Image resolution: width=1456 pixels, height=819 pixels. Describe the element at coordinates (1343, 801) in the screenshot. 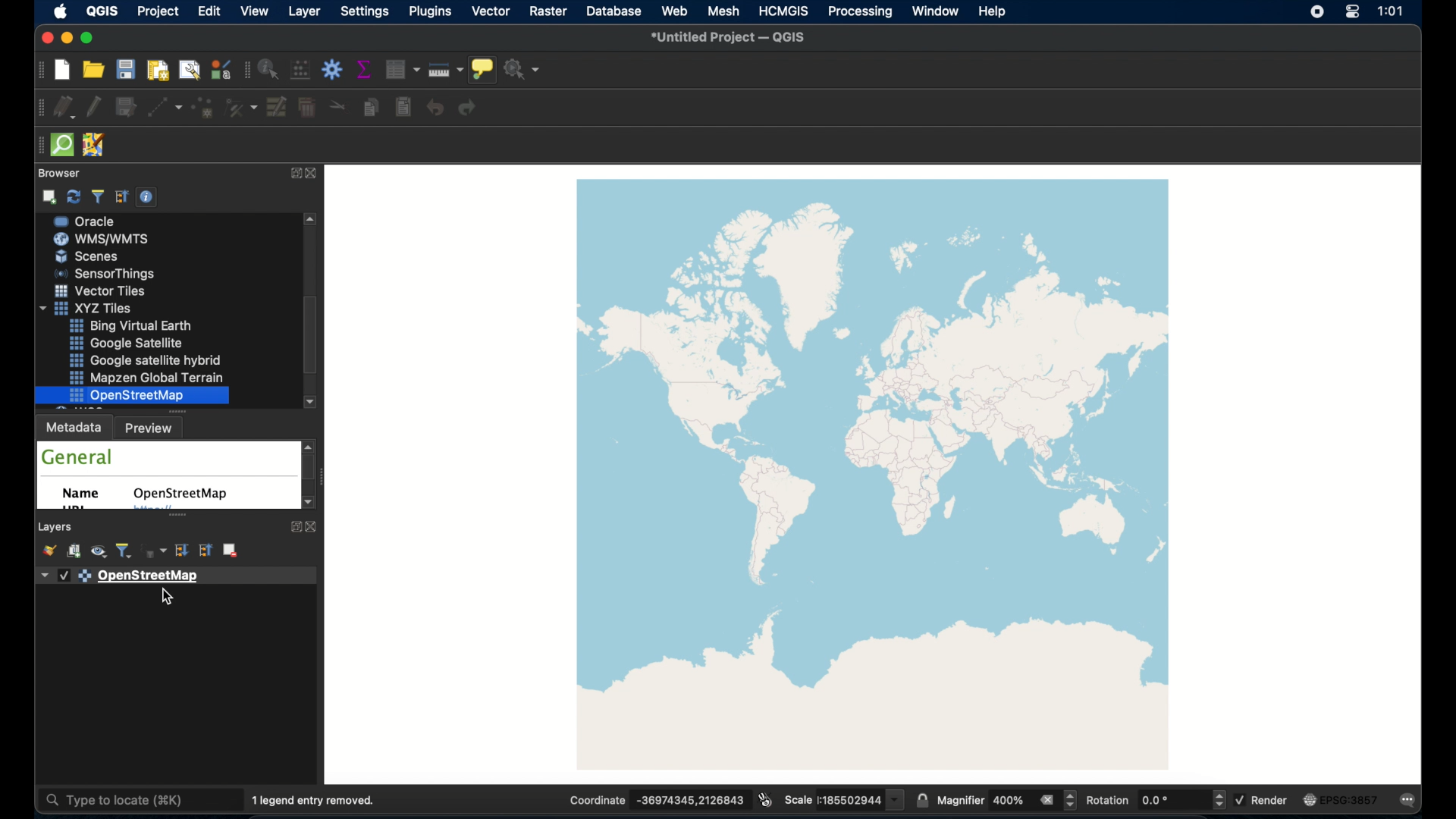

I see `current crs` at that location.